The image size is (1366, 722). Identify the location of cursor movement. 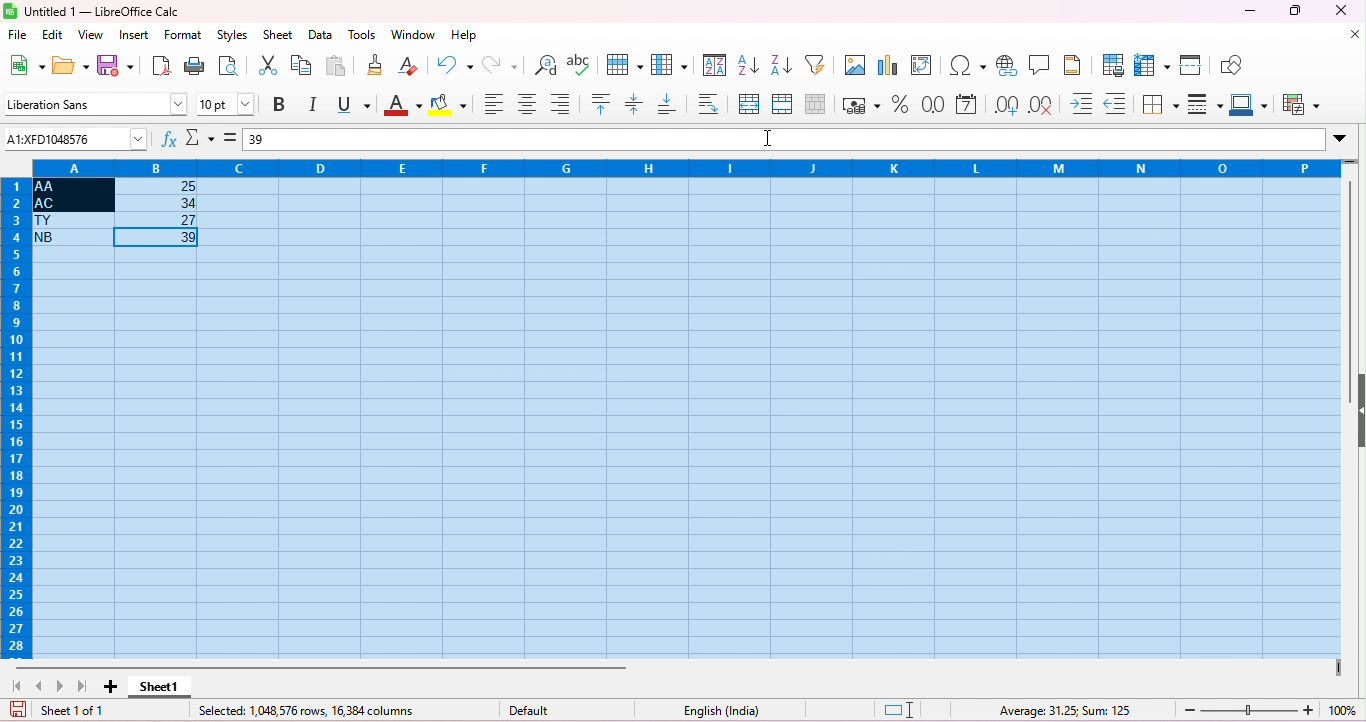
(771, 139).